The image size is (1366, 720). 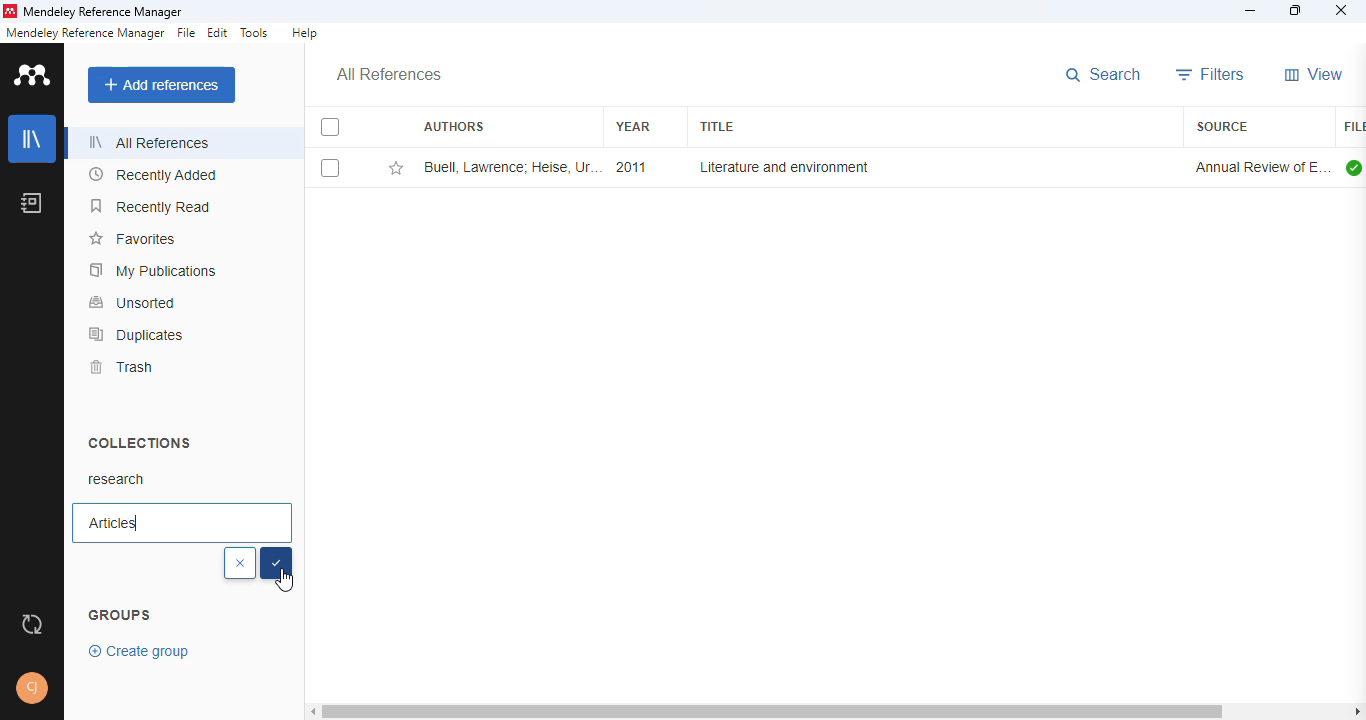 I want to click on recently read, so click(x=150, y=206).